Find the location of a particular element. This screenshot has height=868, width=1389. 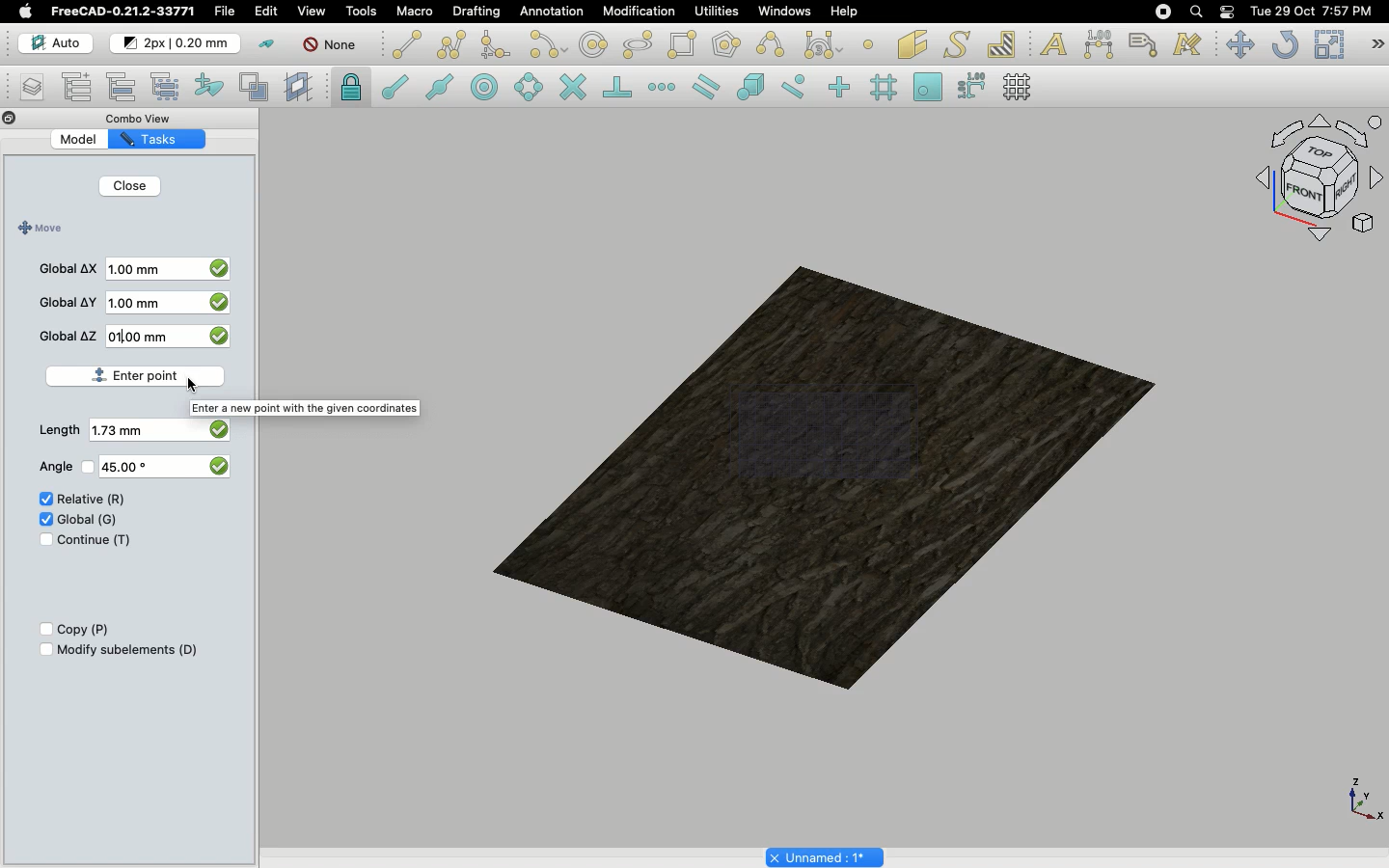

Modify subelements is located at coordinates (128, 649).